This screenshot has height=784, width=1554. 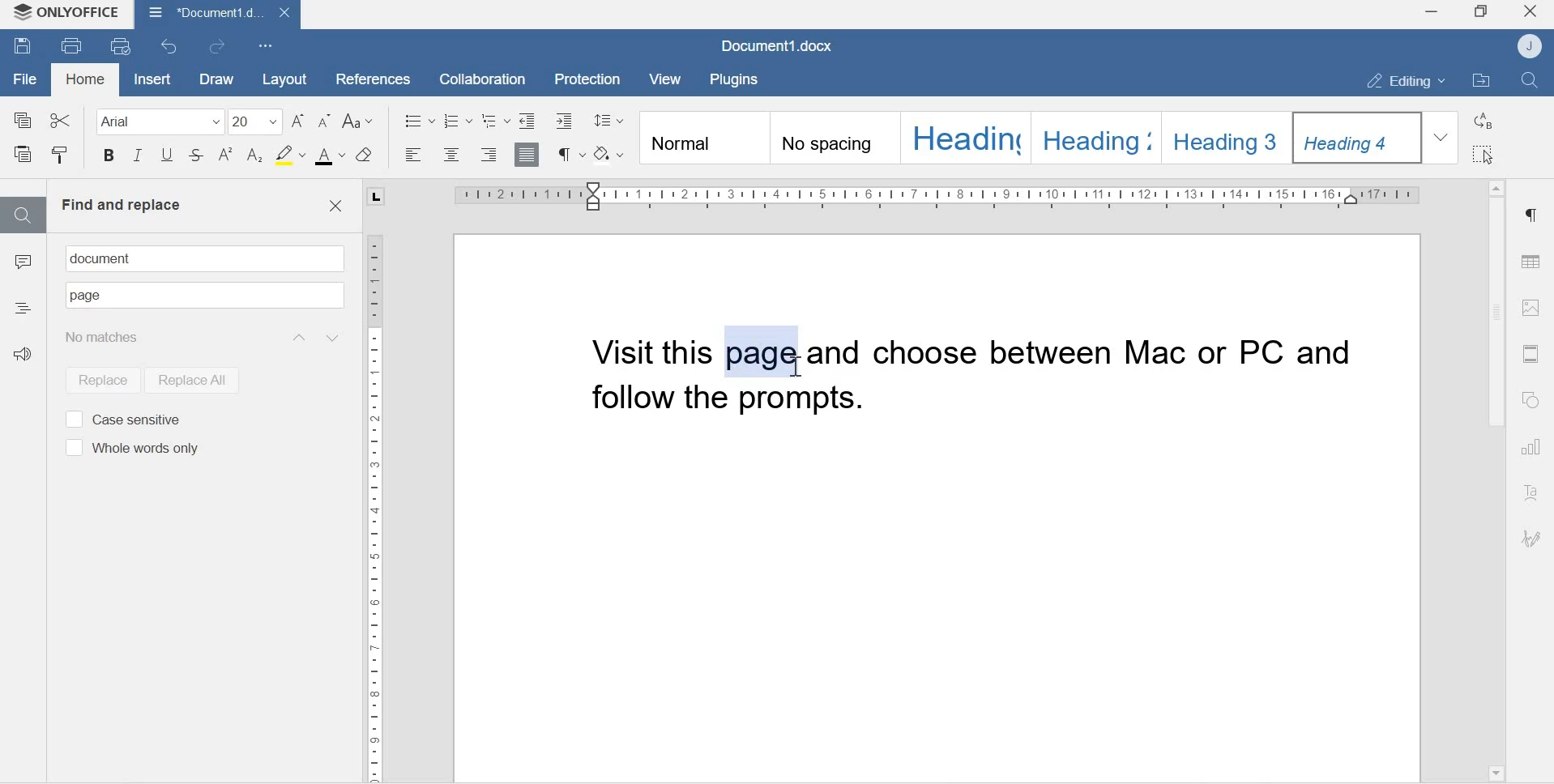 I want to click on Document1.docx, so click(x=780, y=47).